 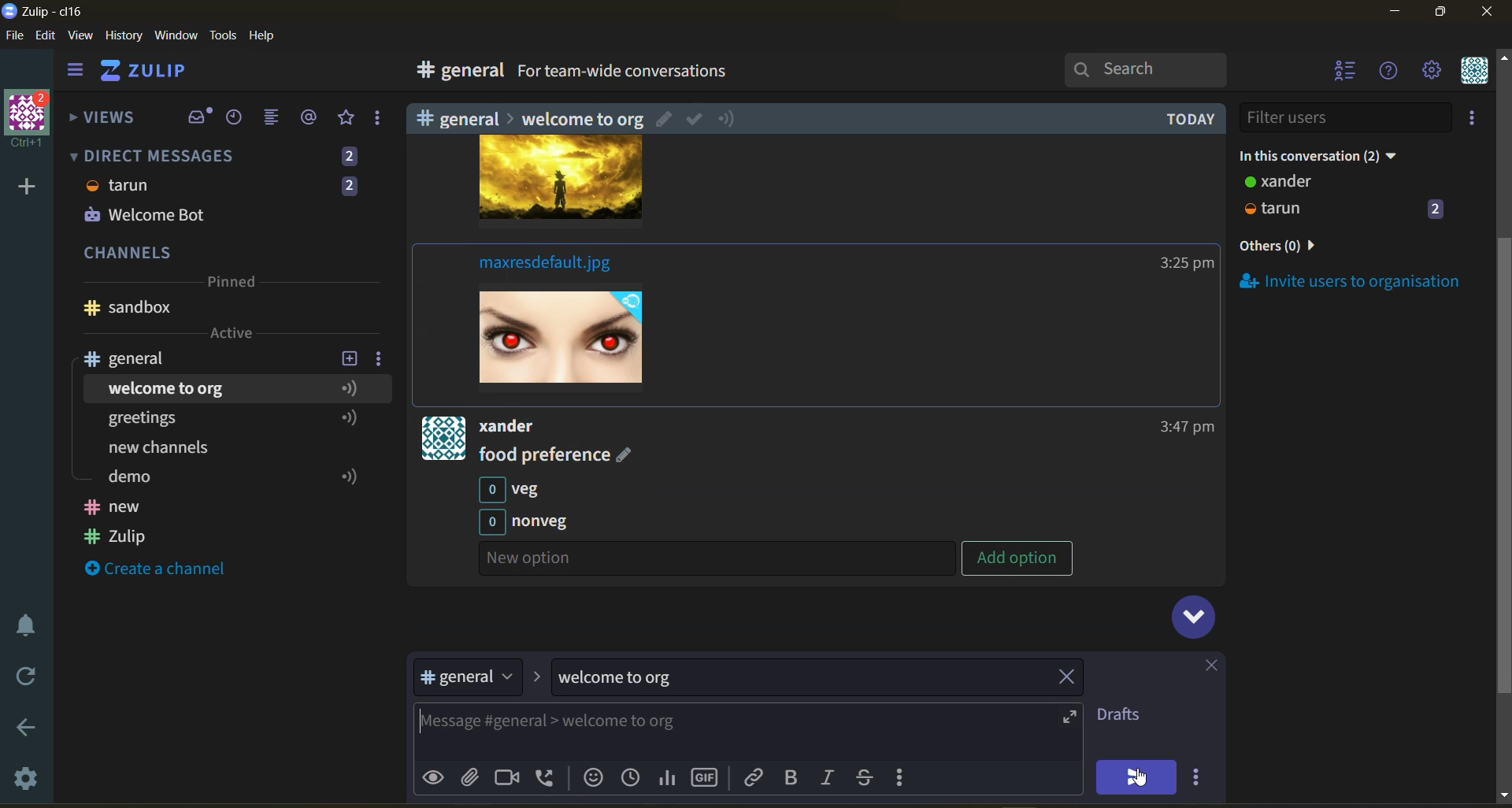 What do you see at coordinates (136, 358) in the screenshot?
I see `channel name` at bounding box center [136, 358].